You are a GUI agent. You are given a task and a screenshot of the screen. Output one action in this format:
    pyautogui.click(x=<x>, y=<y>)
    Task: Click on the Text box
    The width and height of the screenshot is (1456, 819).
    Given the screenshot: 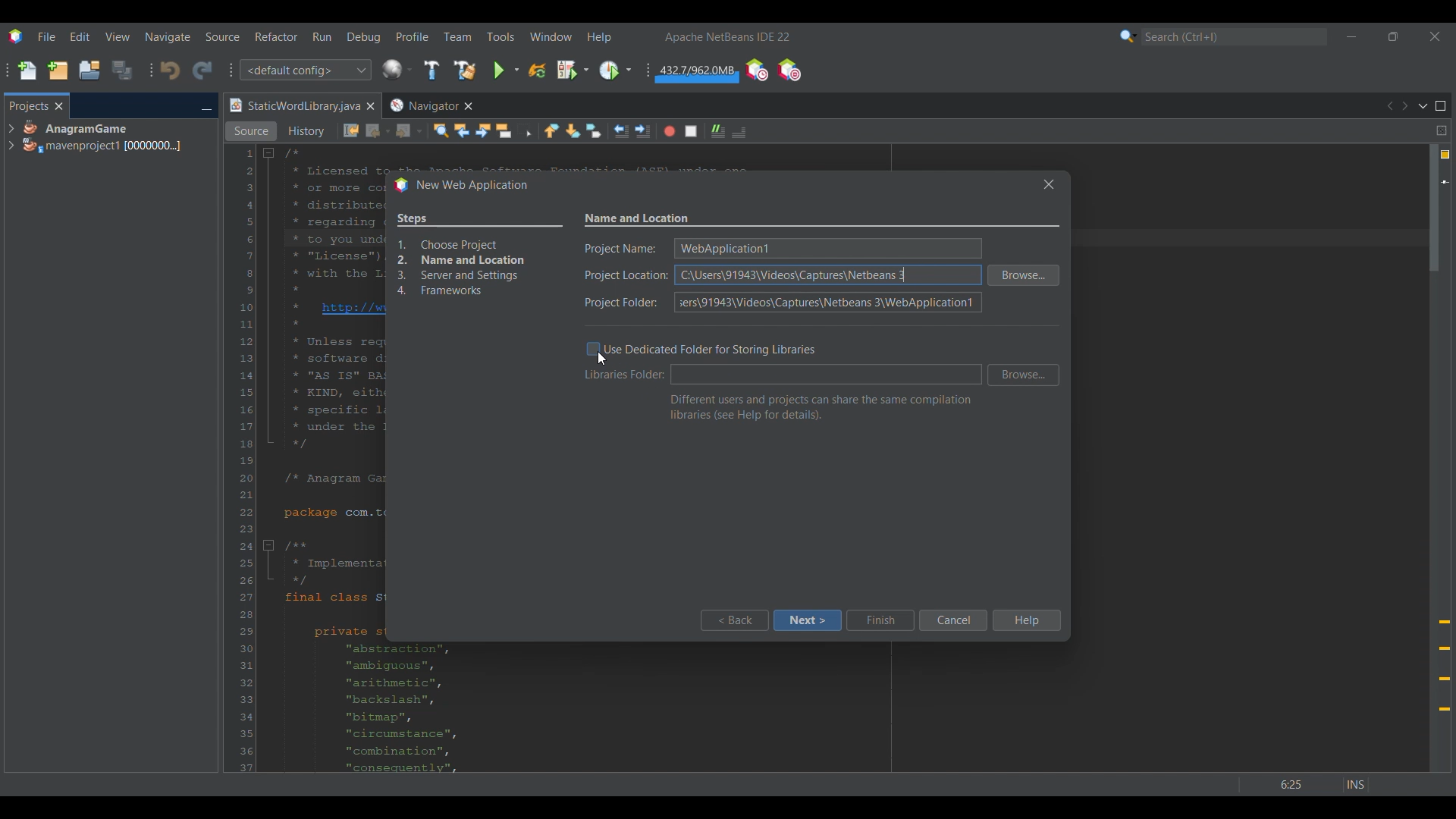 What is the action you would take?
    pyautogui.click(x=827, y=375)
    